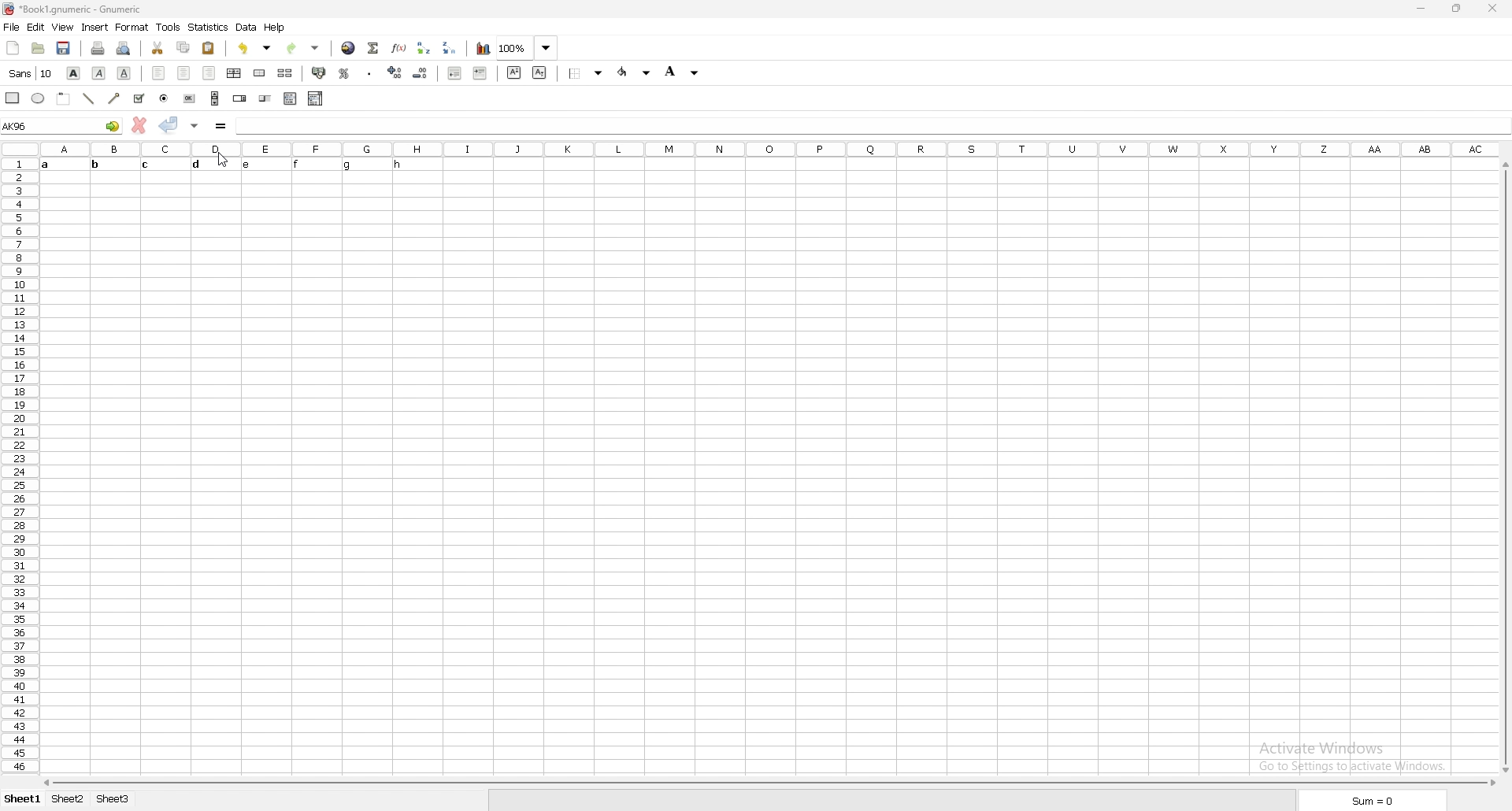  I want to click on save, so click(65, 48).